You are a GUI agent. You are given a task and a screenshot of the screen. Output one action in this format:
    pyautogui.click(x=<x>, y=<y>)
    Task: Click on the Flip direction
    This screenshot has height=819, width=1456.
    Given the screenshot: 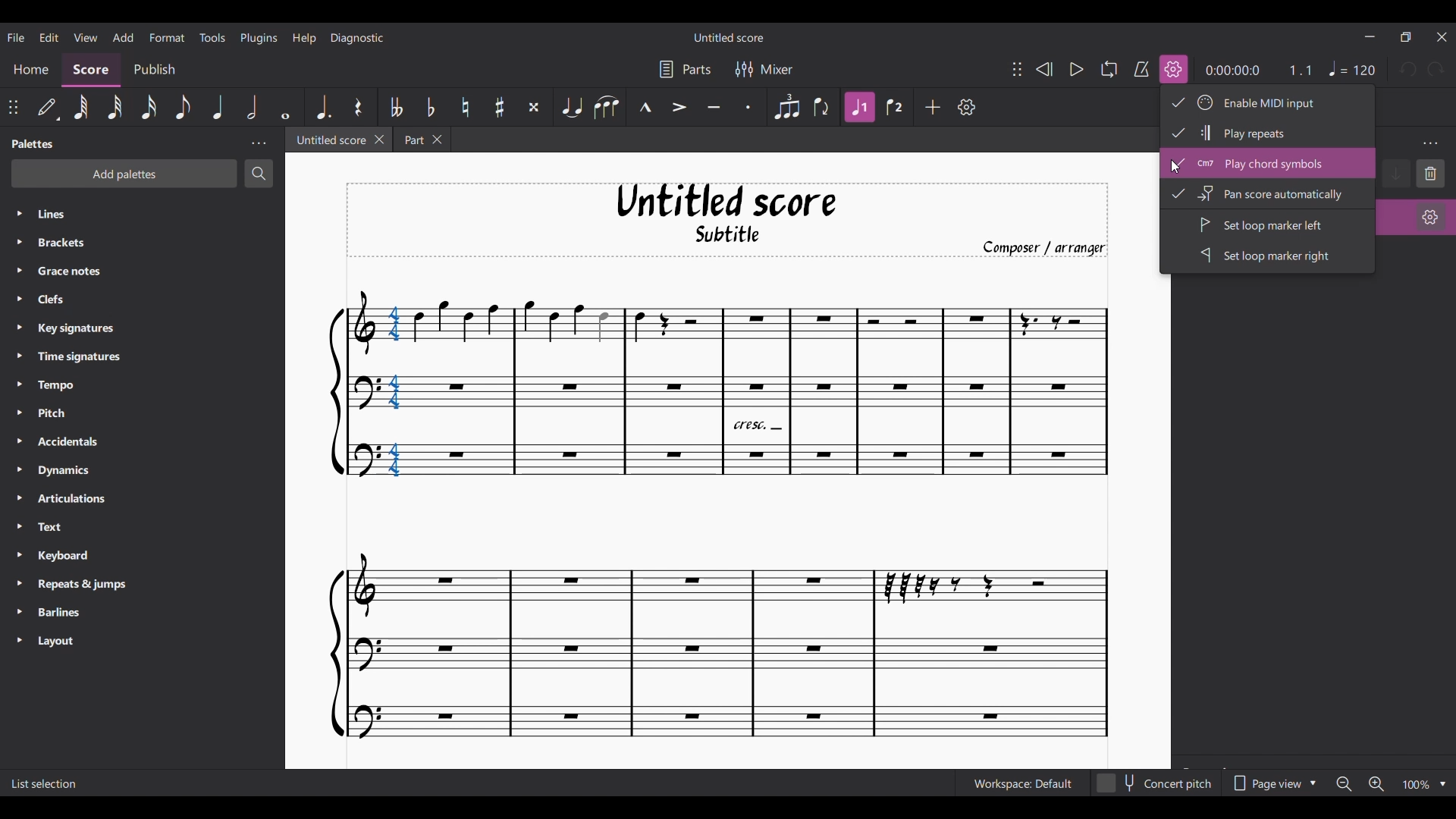 What is the action you would take?
    pyautogui.click(x=823, y=107)
    